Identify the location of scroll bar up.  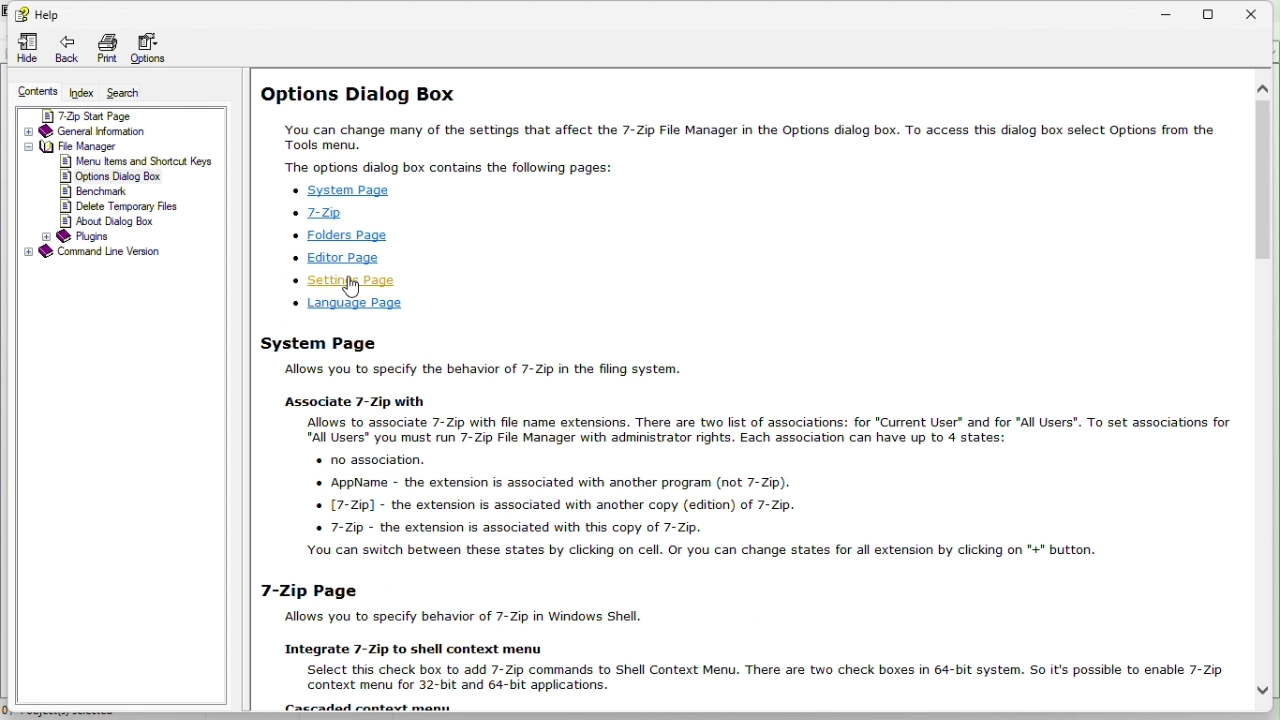
(1266, 90).